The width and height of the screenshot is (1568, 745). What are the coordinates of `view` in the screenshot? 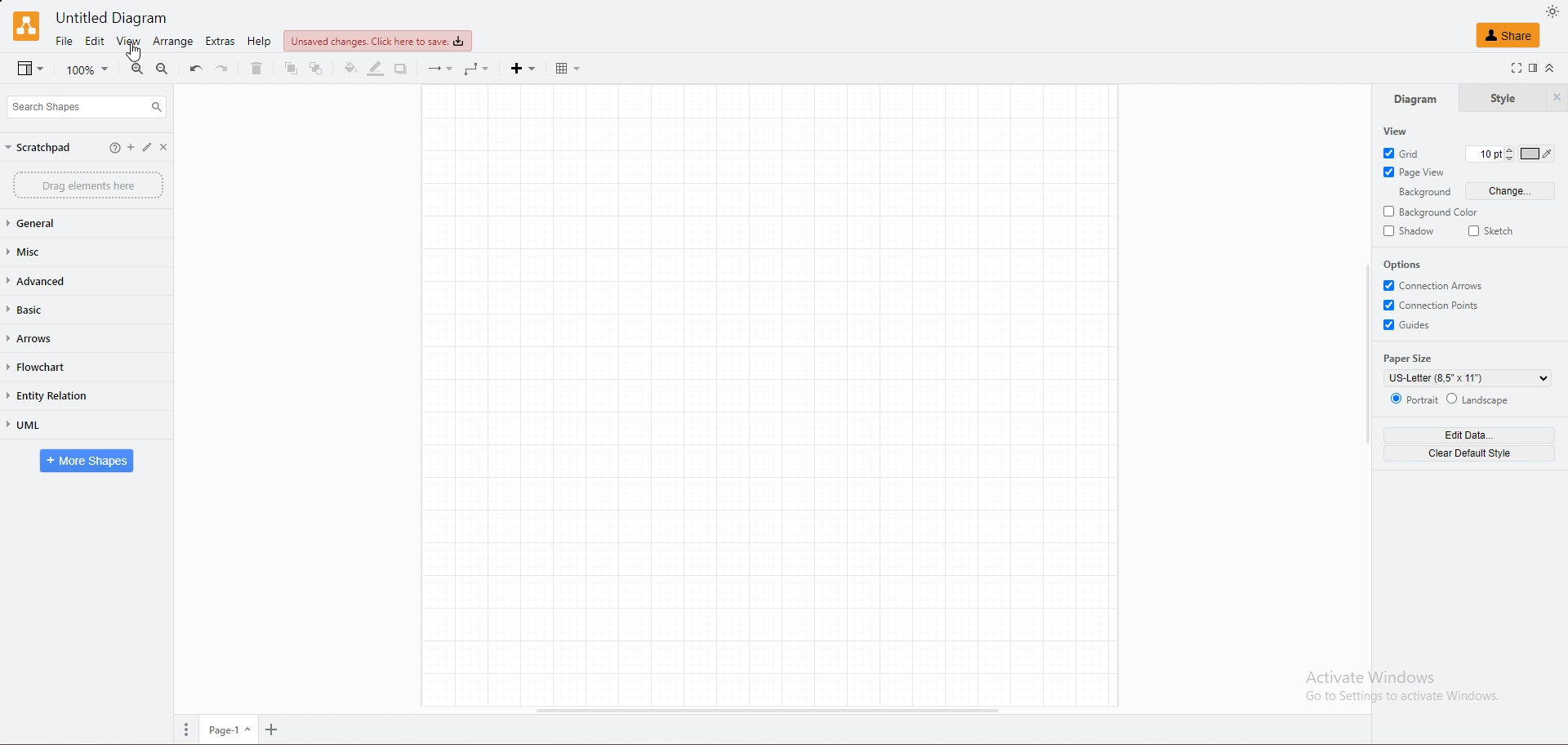 It's located at (127, 41).